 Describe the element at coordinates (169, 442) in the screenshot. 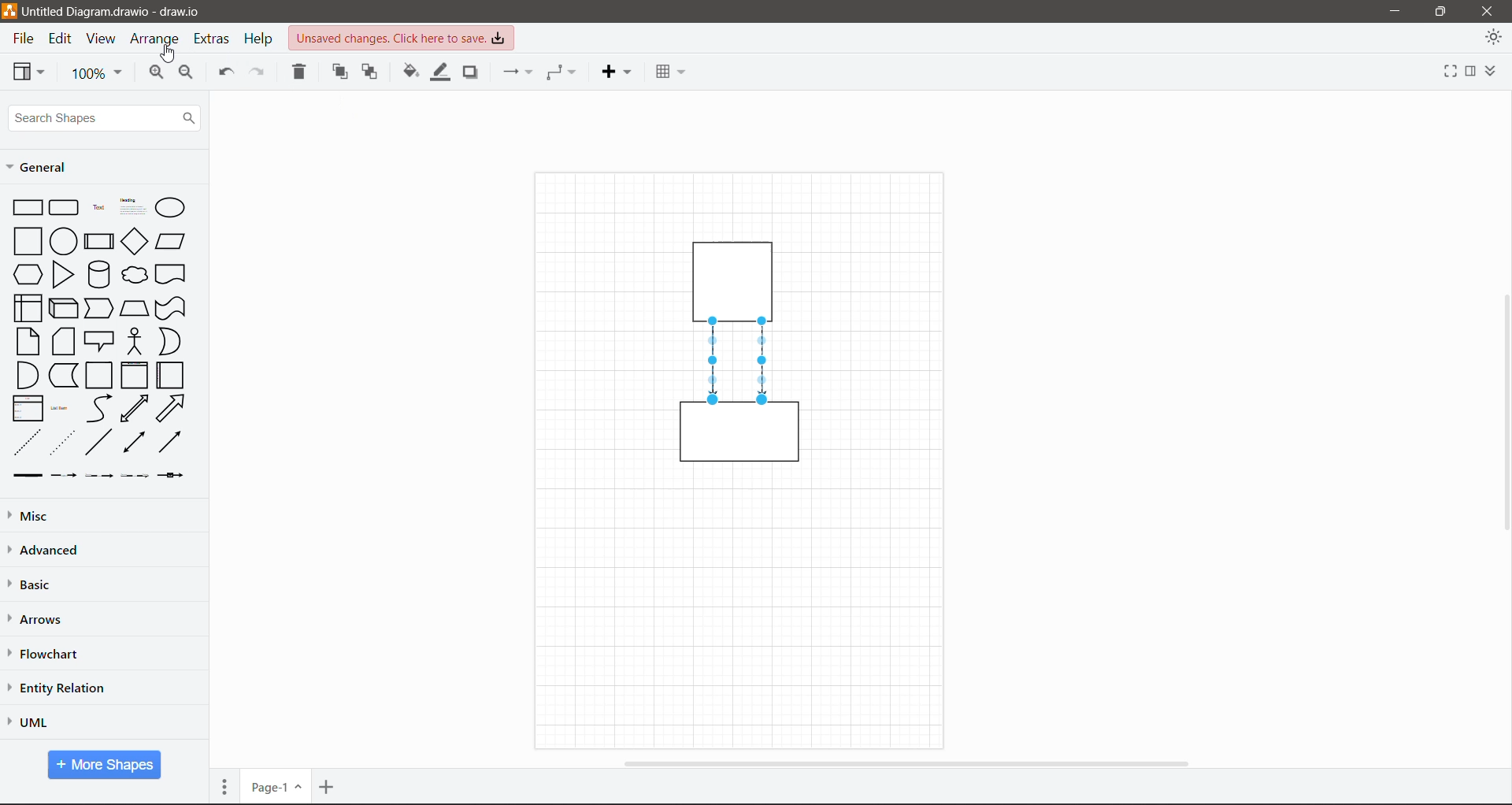

I see `directional connector` at that location.